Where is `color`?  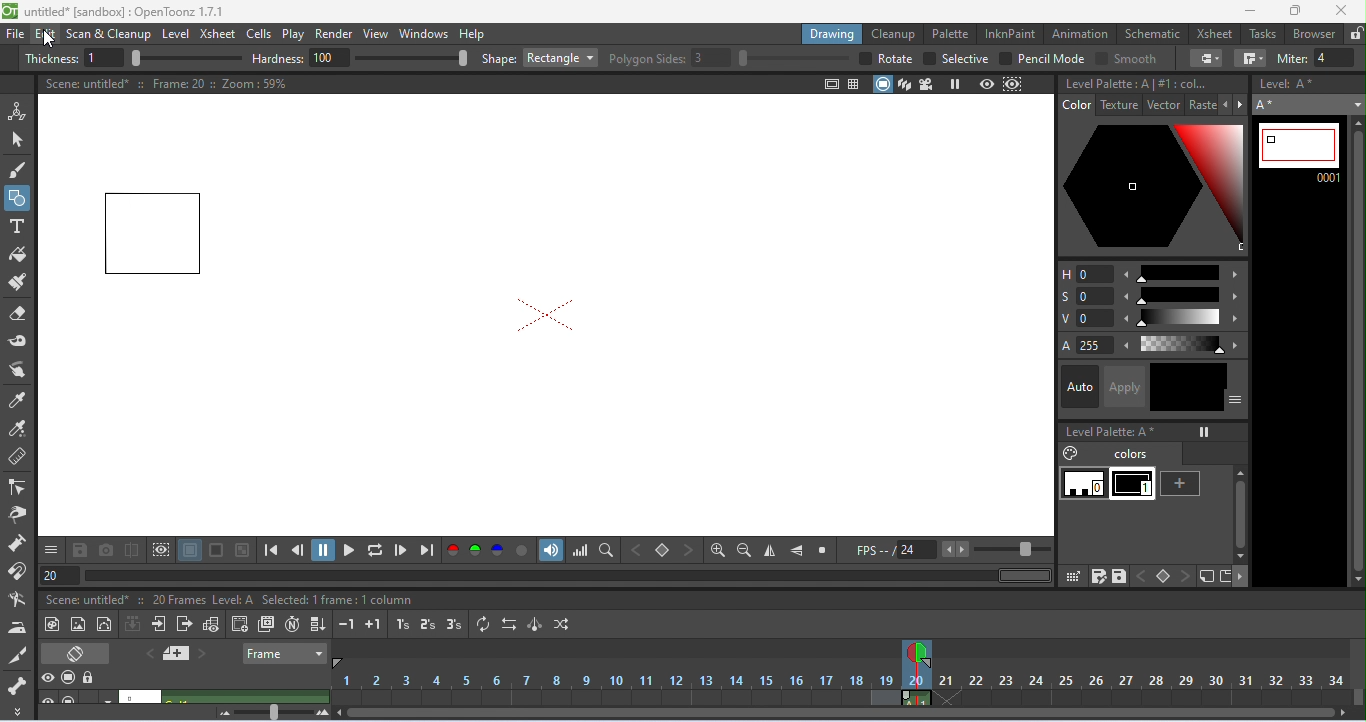
color is located at coordinates (1076, 106).